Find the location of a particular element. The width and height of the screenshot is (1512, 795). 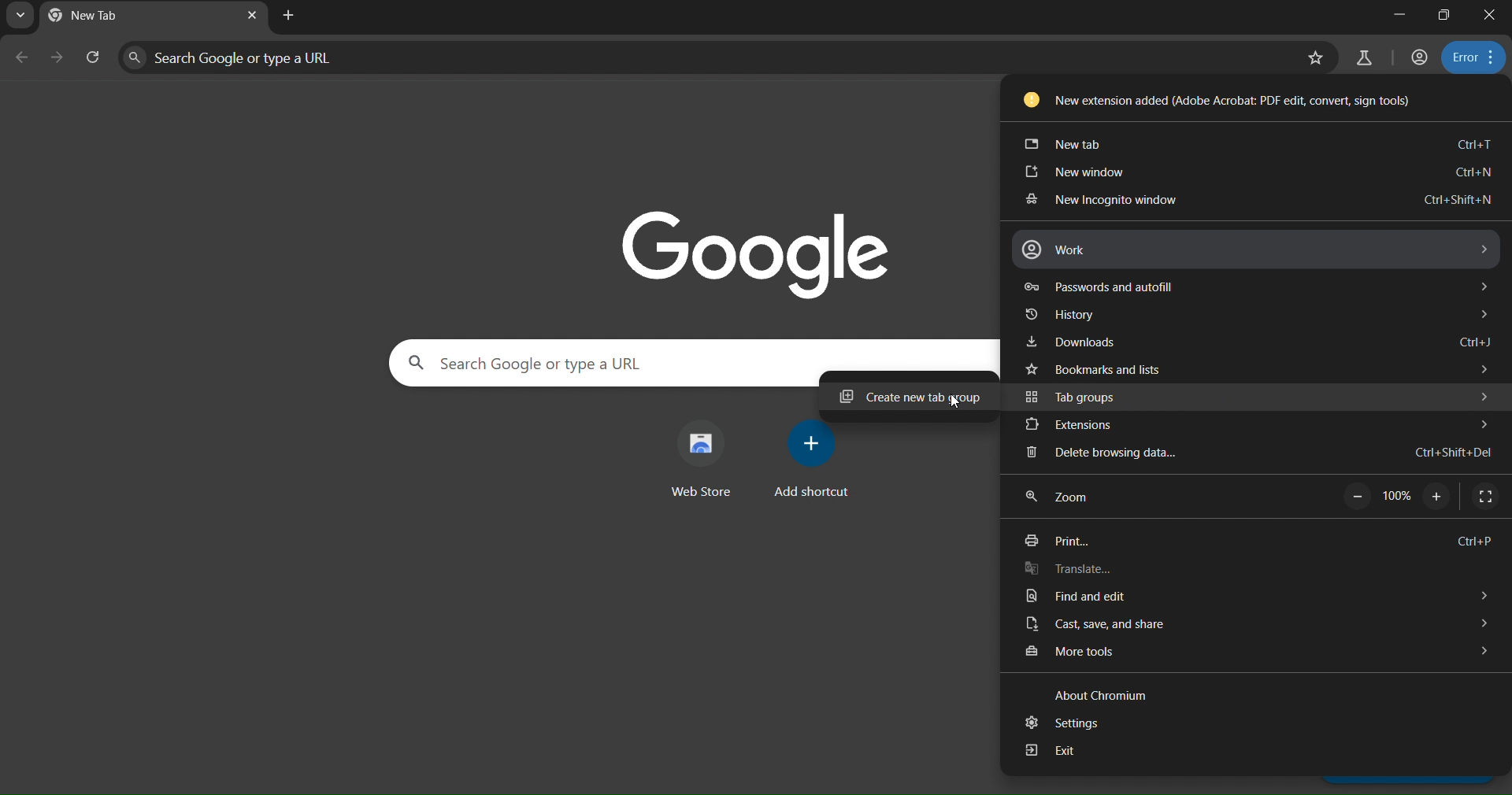

search labs is located at coordinates (1364, 59).